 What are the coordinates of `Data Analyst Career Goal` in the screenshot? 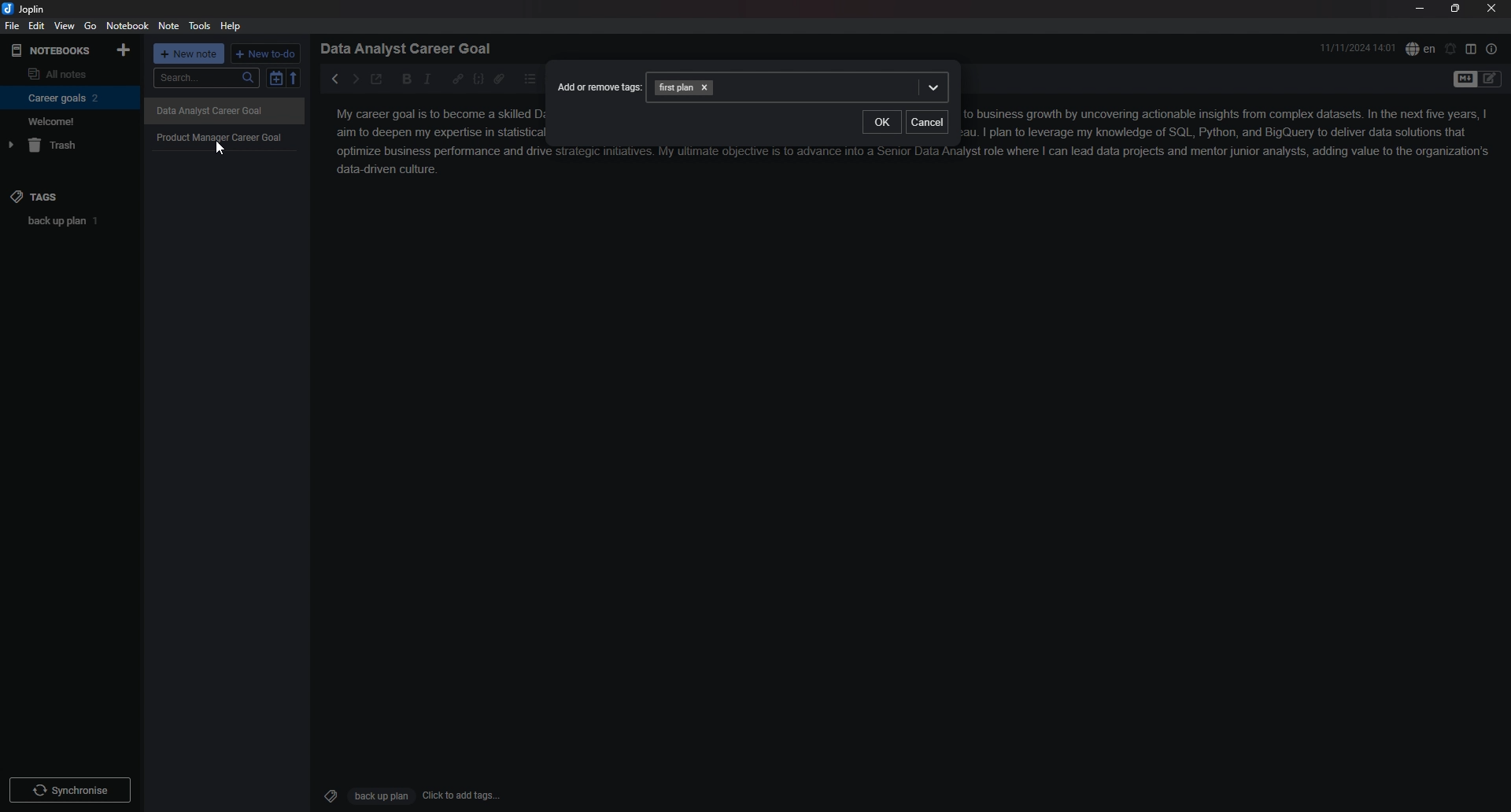 It's located at (412, 48).